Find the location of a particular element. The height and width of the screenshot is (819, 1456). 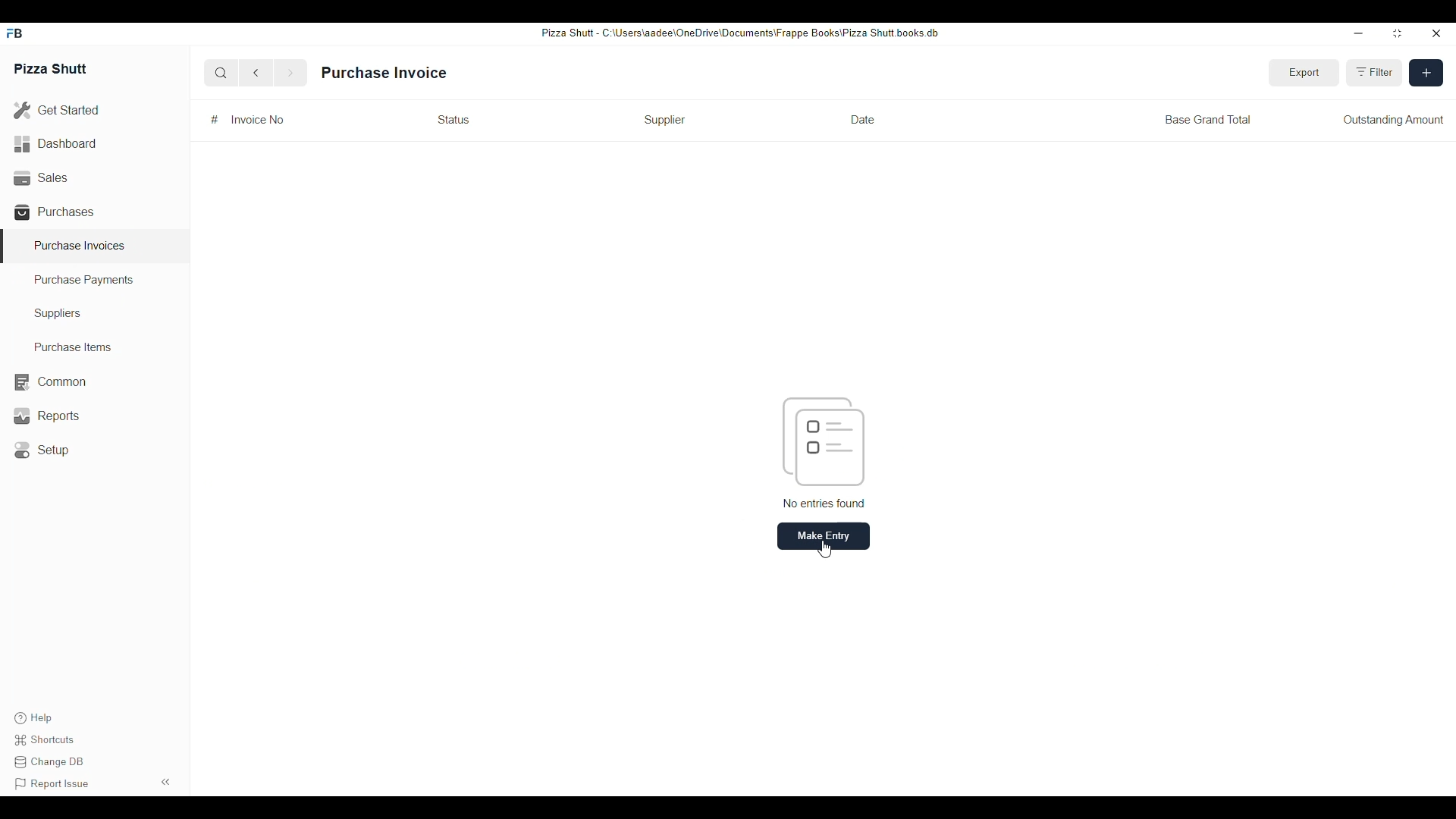

Help is located at coordinates (32, 718).